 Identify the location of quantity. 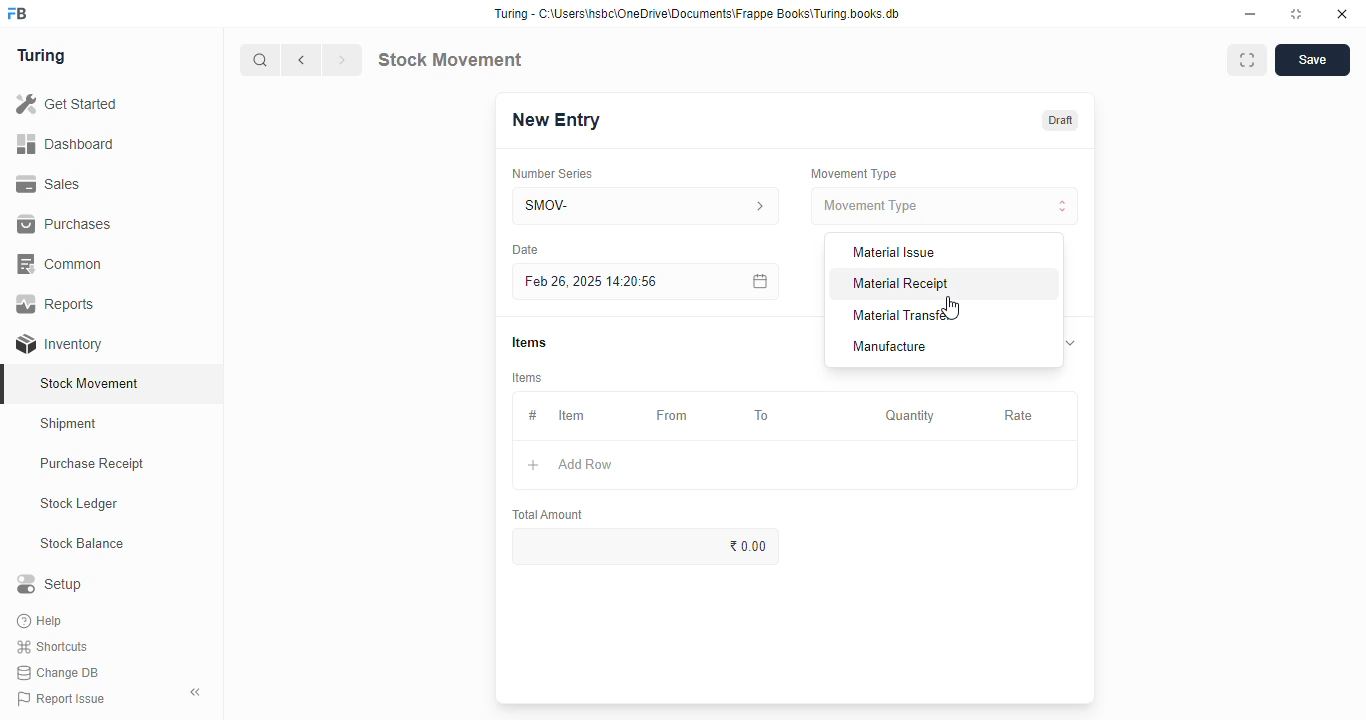
(910, 416).